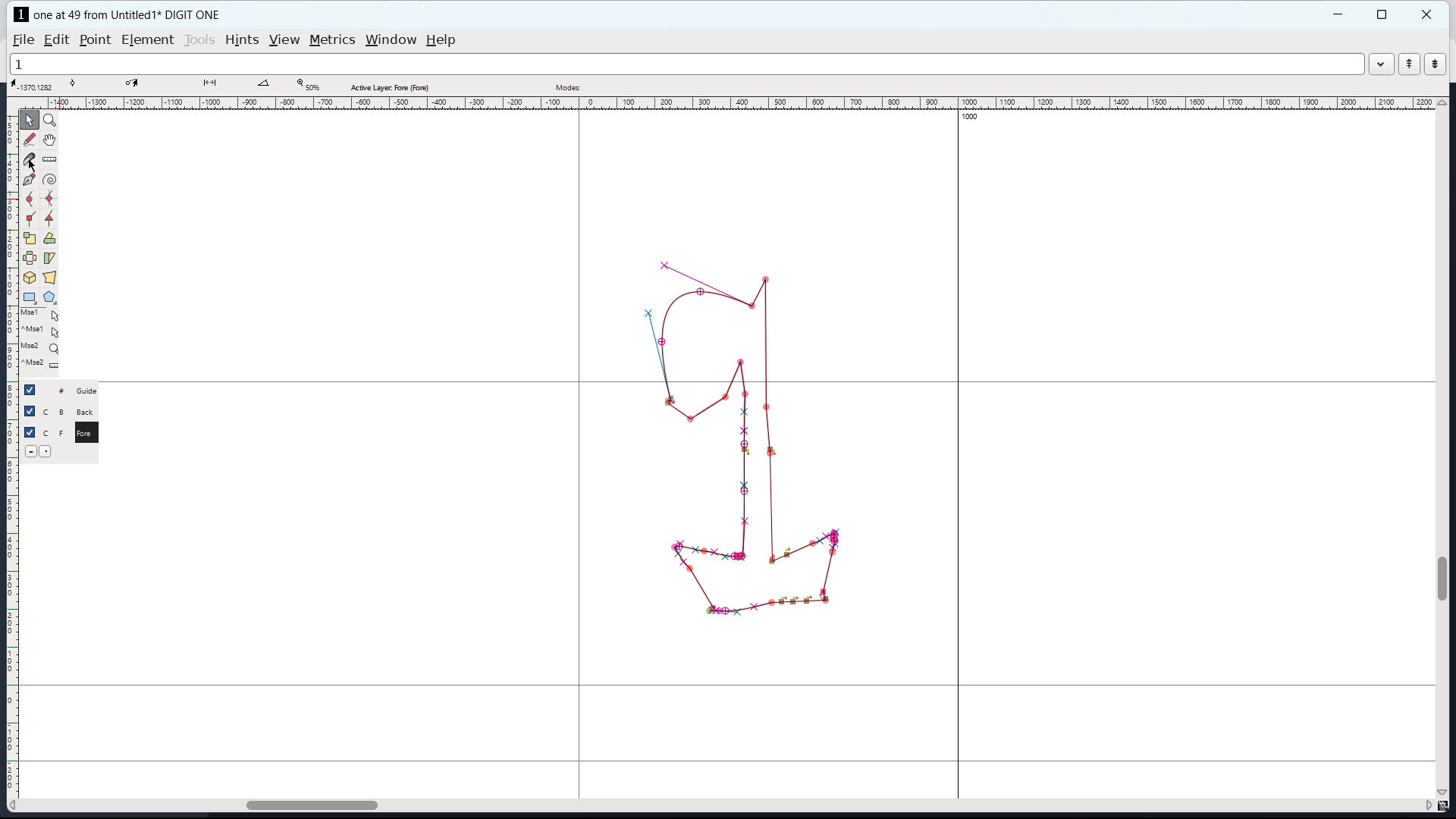  I want to click on measurendistance, angle between points, so click(53, 158).